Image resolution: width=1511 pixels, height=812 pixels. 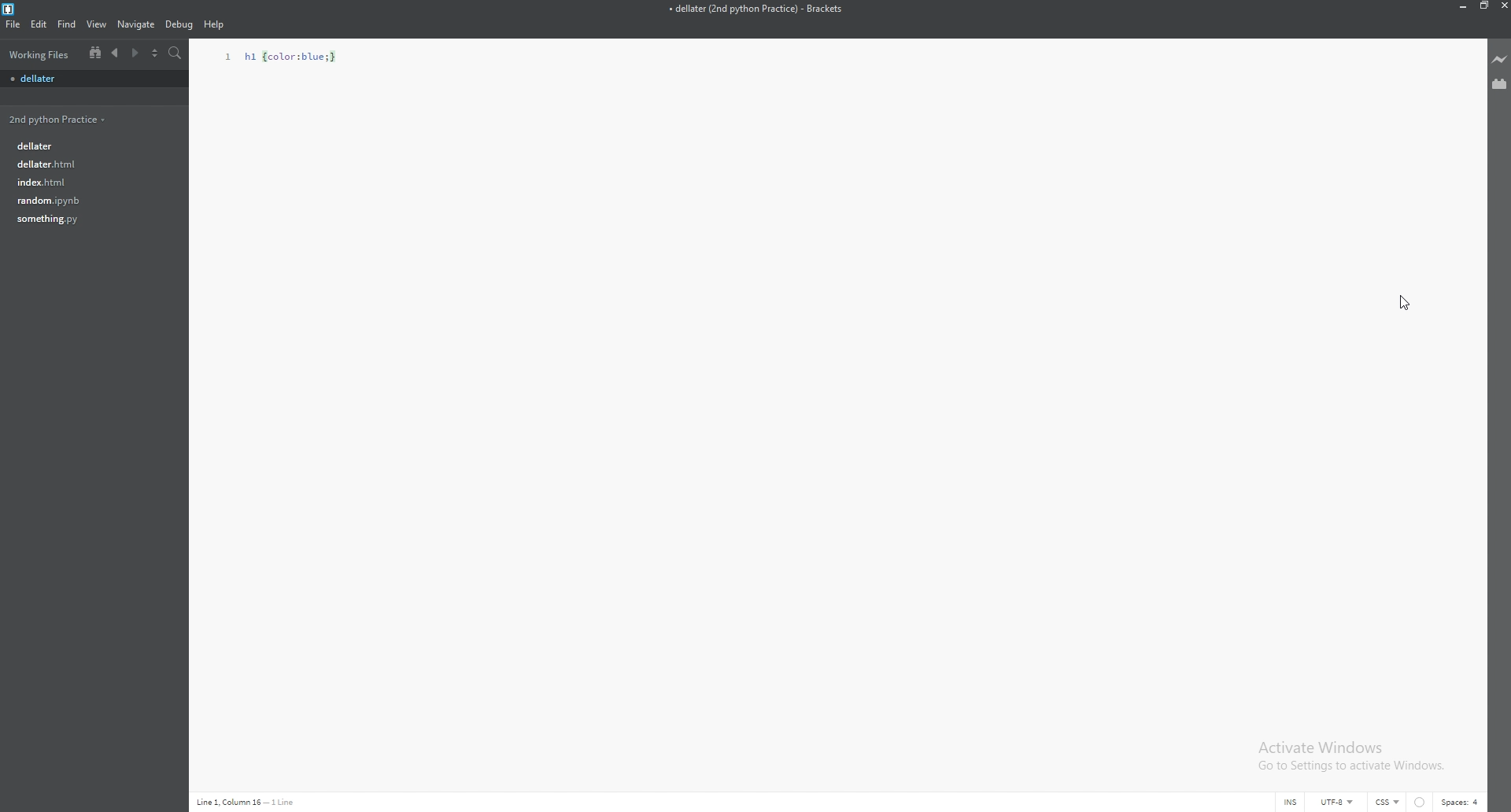 What do you see at coordinates (60, 119) in the screenshot?
I see `folder` at bounding box center [60, 119].